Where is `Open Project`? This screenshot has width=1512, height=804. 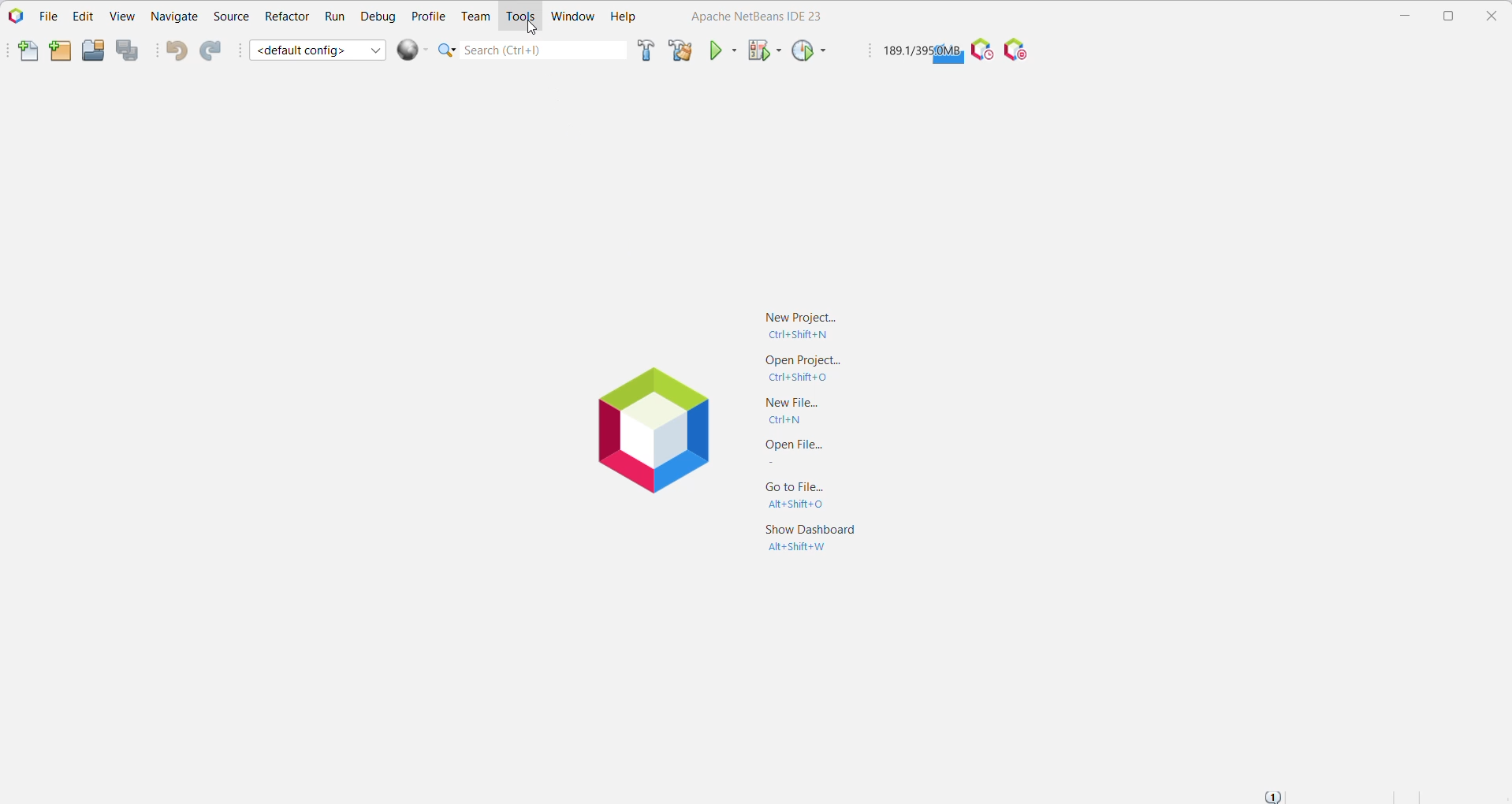 Open Project is located at coordinates (796, 368).